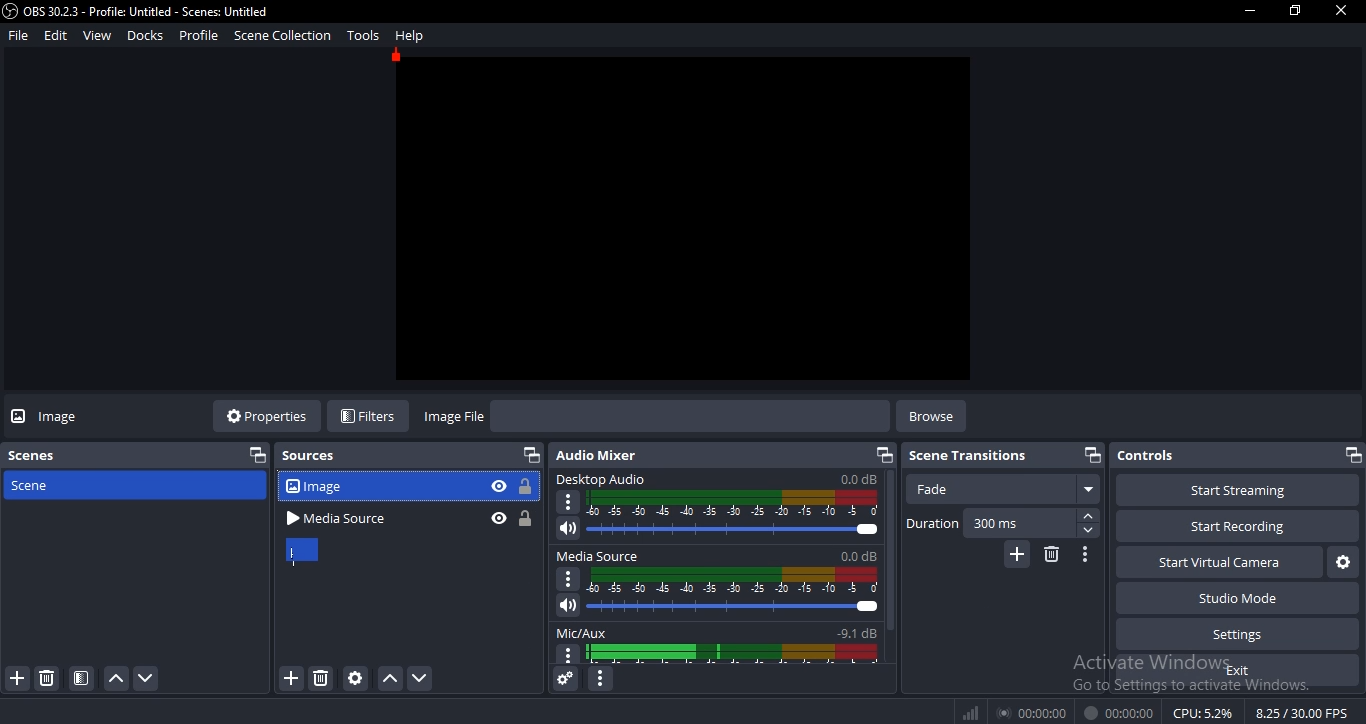 Image resolution: width=1366 pixels, height=724 pixels. Describe the element at coordinates (148, 679) in the screenshot. I see `move down` at that location.